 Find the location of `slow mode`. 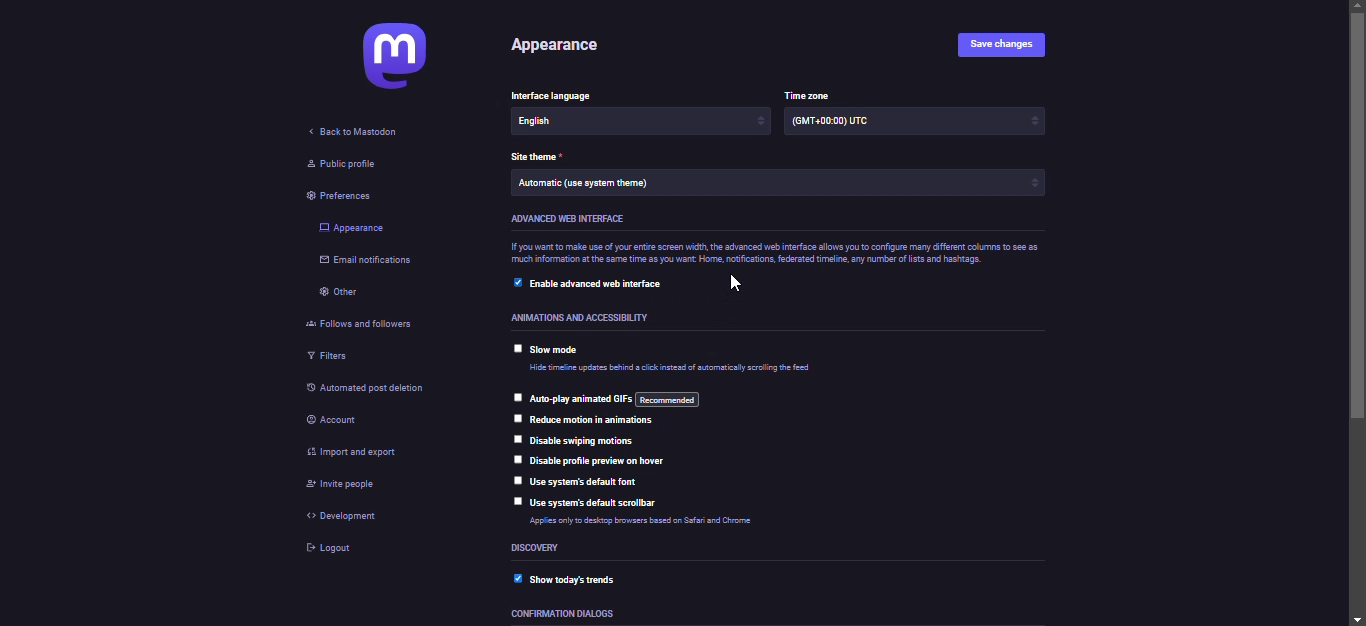

slow mode is located at coordinates (565, 347).